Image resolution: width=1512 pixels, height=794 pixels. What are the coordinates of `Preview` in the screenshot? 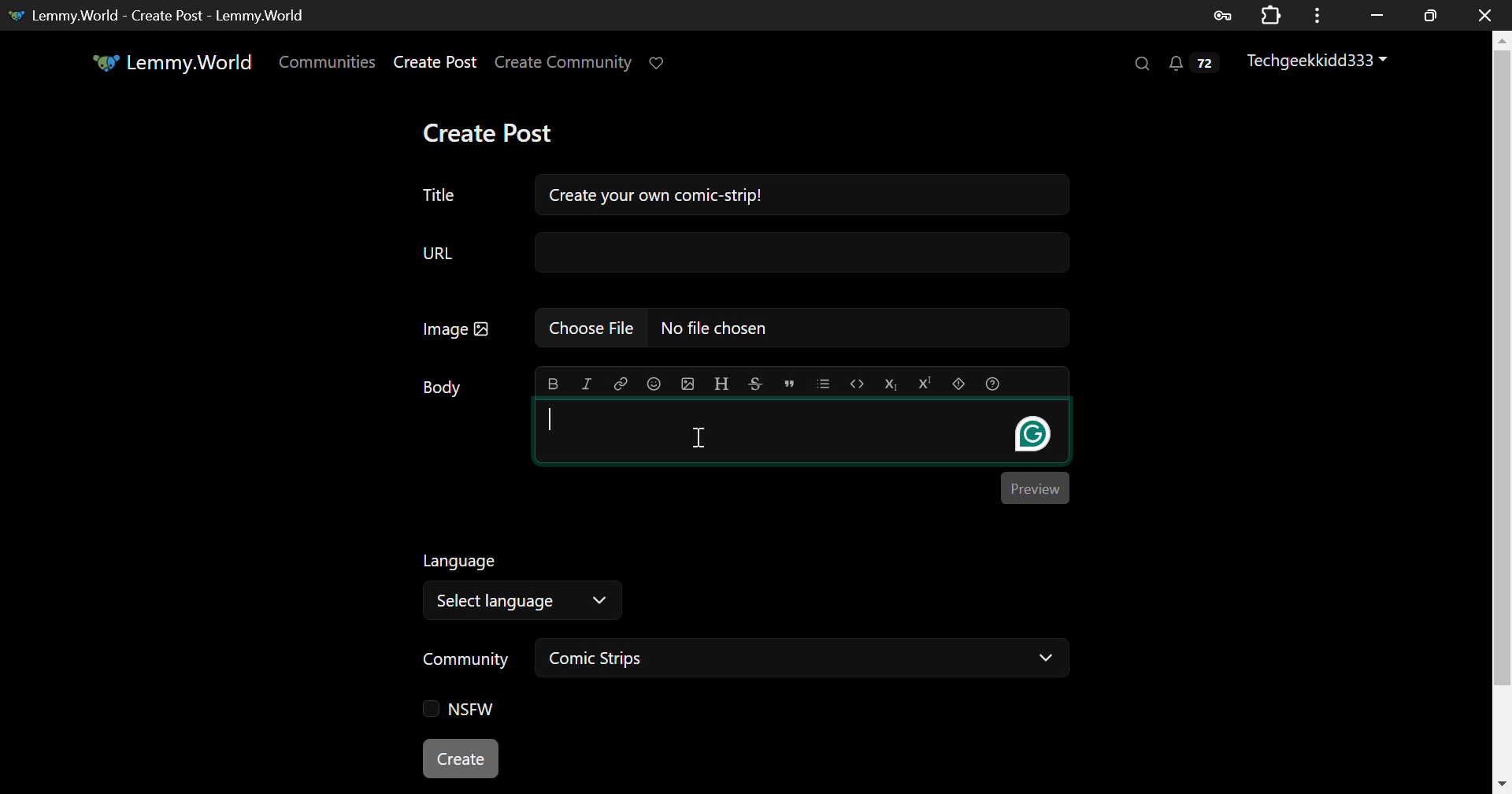 It's located at (1033, 485).